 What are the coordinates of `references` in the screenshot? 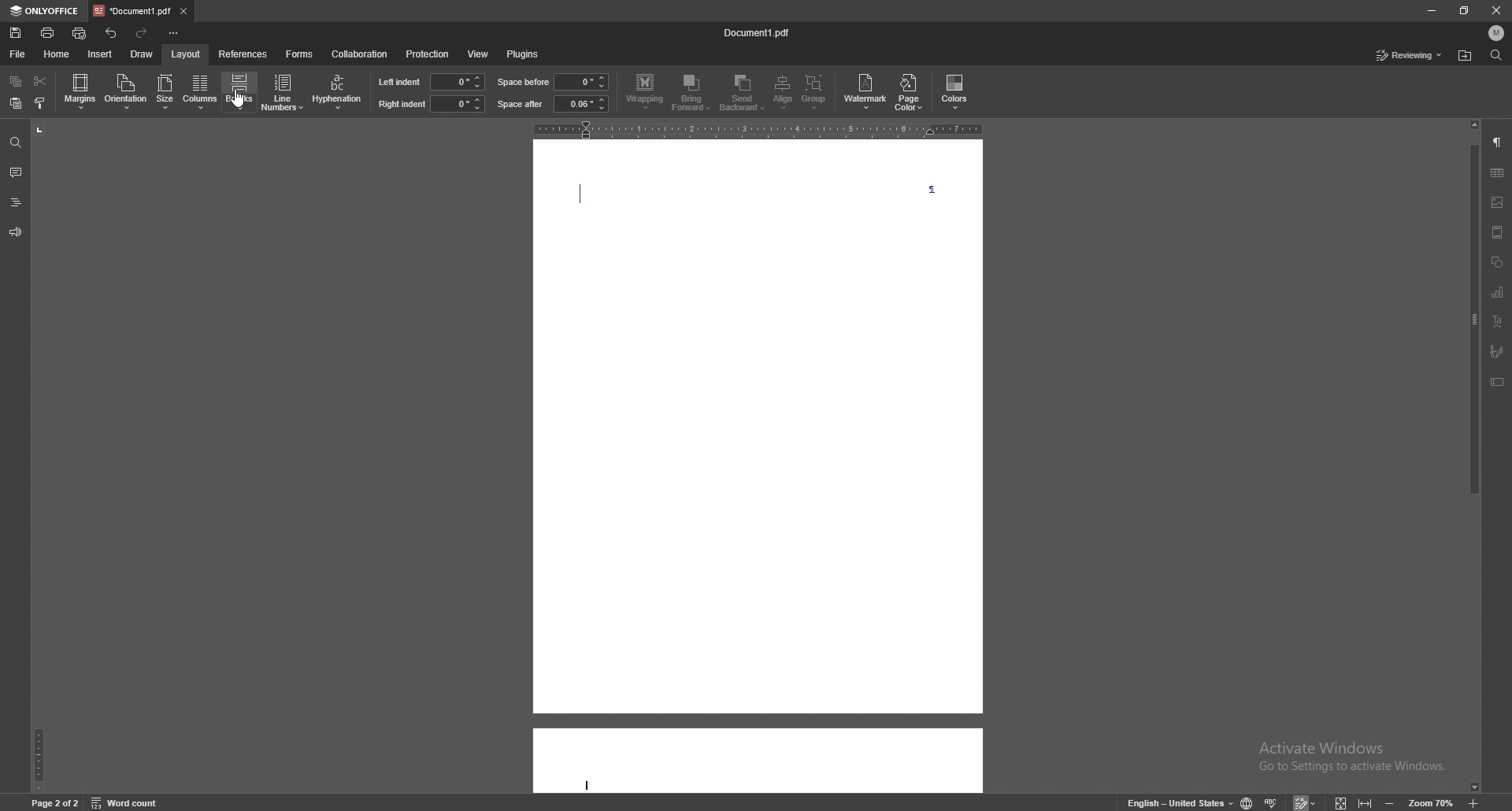 It's located at (243, 53).